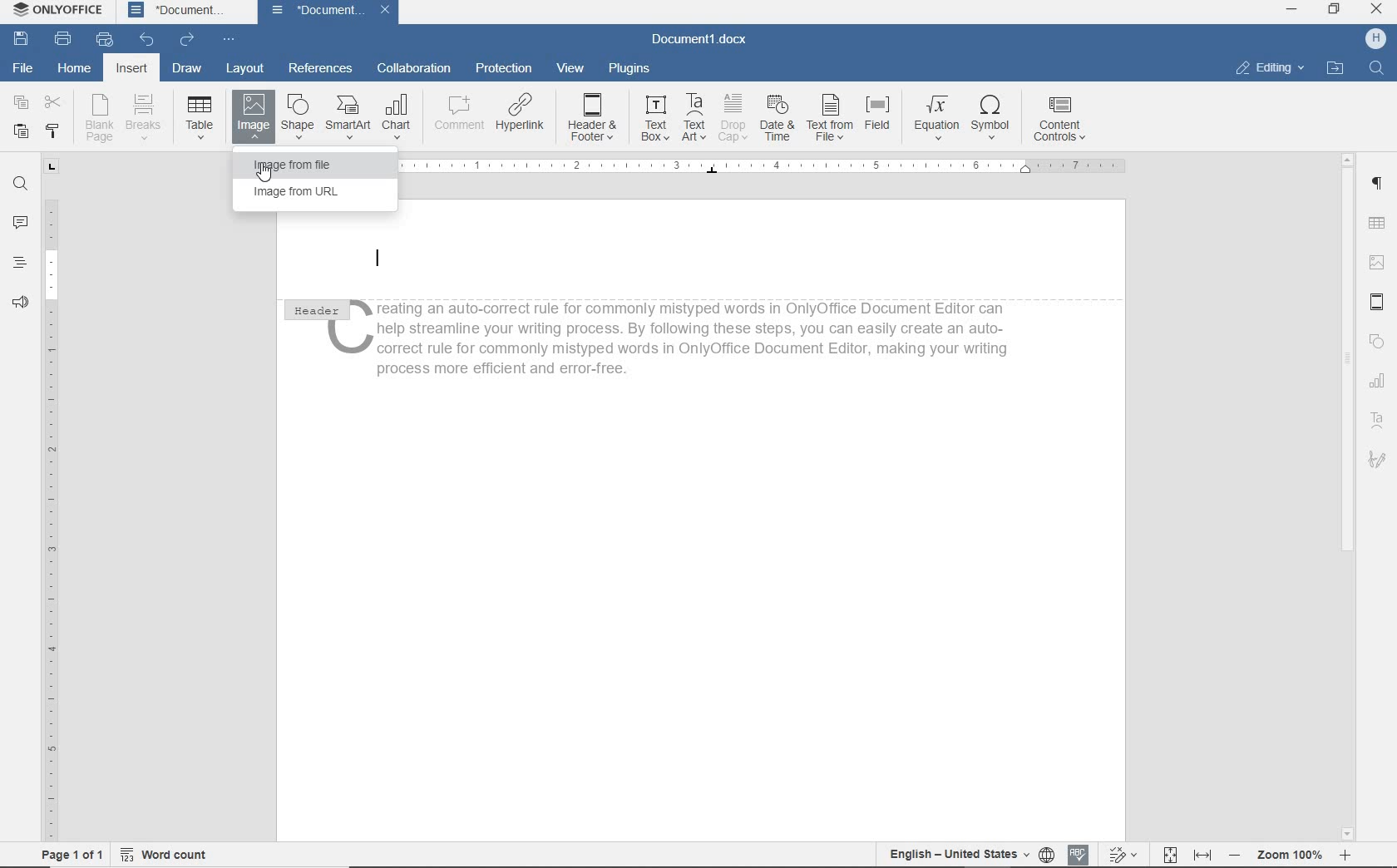  What do you see at coordinates (51, 498) in the screenshot?
I see `RULER` at bounding box center [51, 498].